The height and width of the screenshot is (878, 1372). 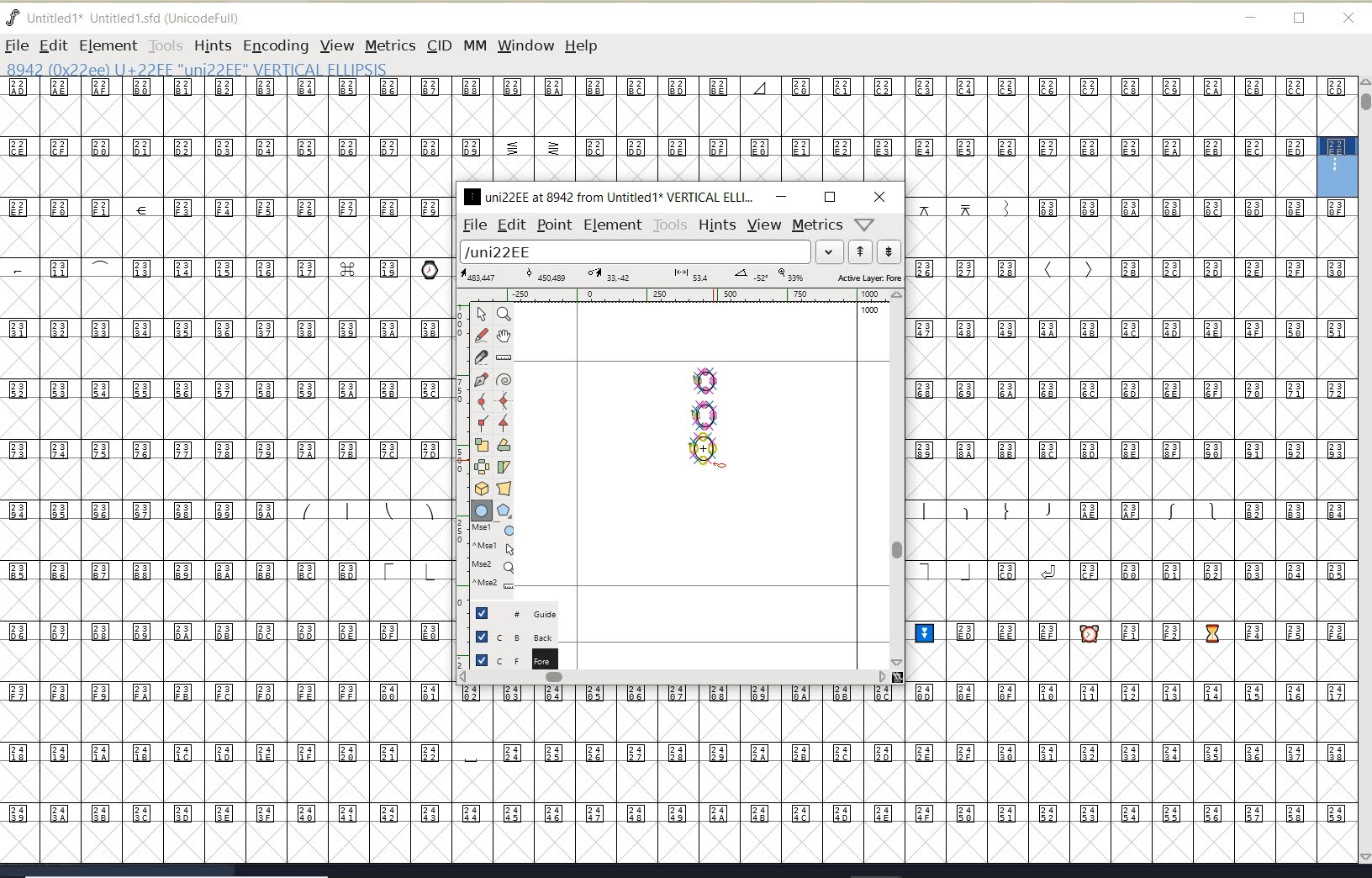 What do you see at coordinates (460, 478) in the screenshot?
I see `SCALE` at bounding box center [460, 478].